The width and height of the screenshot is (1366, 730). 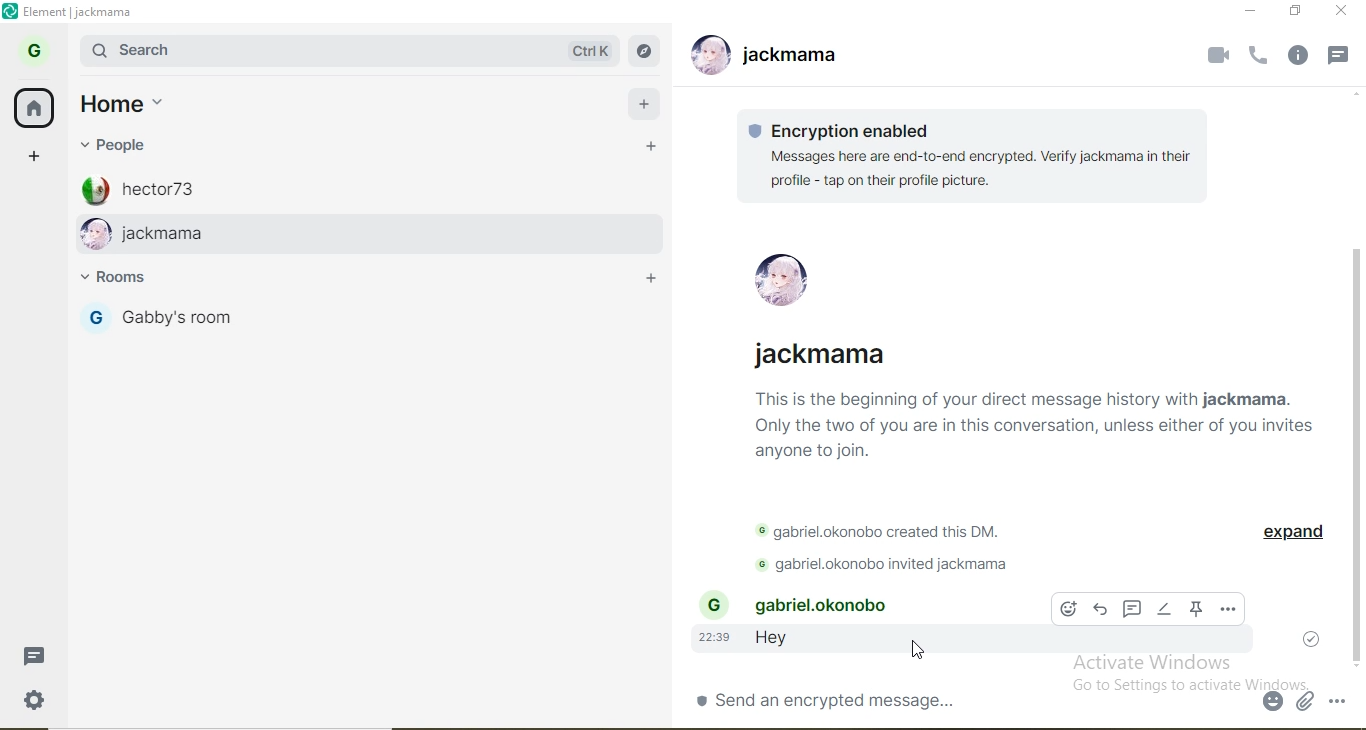 I want to click on text 4, so click(x=898, y=562).